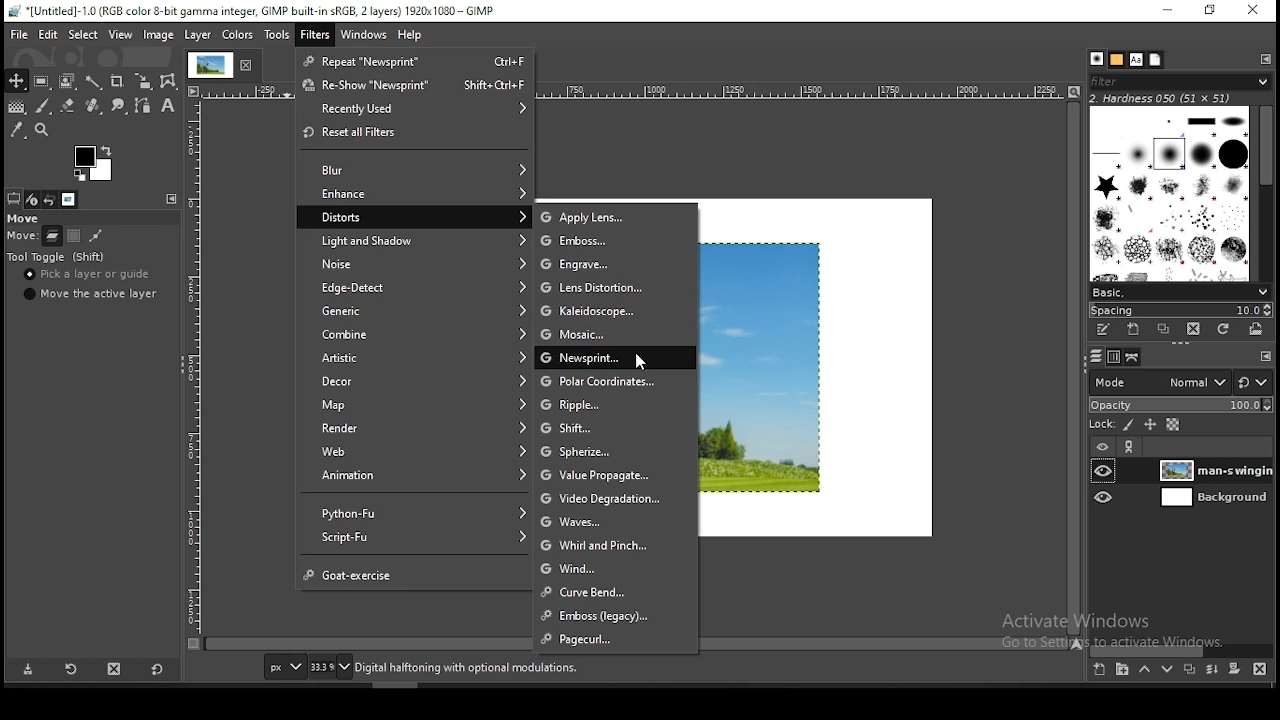  Describe the element at coordinates (414, 192) in the screenshot. I see `enhance` at that location.